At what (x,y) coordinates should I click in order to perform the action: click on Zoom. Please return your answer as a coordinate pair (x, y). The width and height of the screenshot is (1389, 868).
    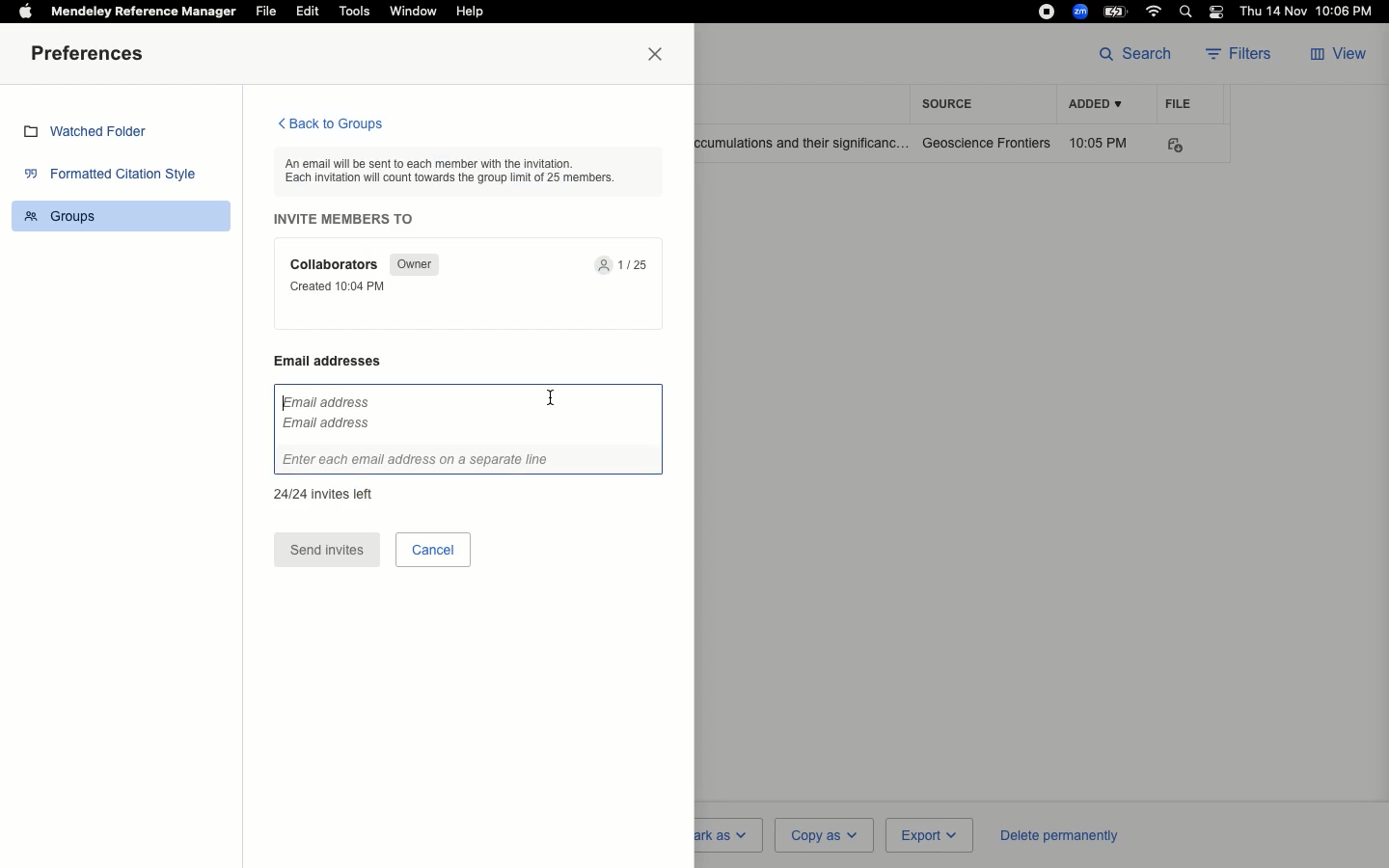
    Looking at the image, I should click on (1081, 12).